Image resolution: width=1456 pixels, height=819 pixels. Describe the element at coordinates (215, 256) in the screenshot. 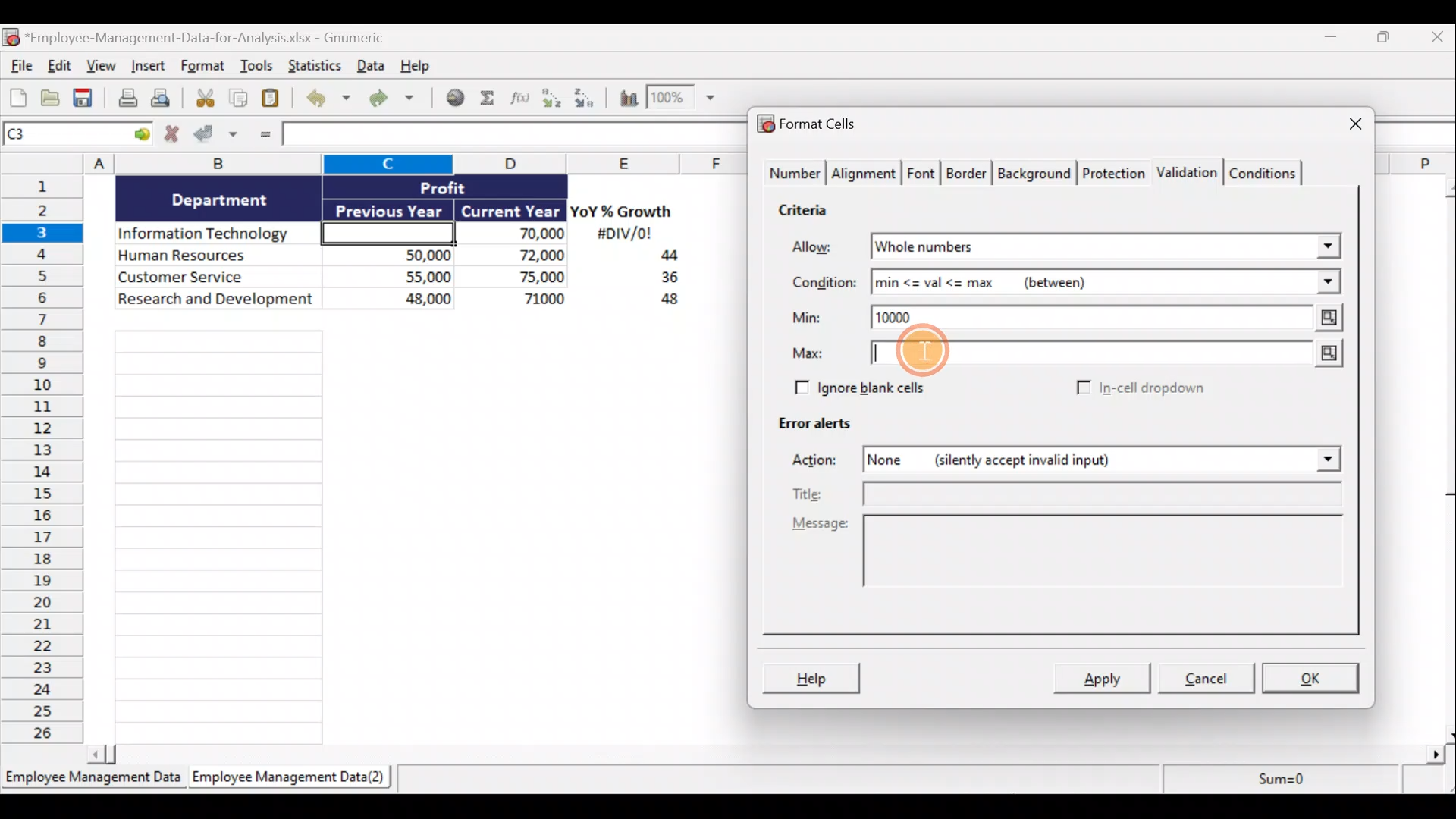

I see `Human Resources` at that location.